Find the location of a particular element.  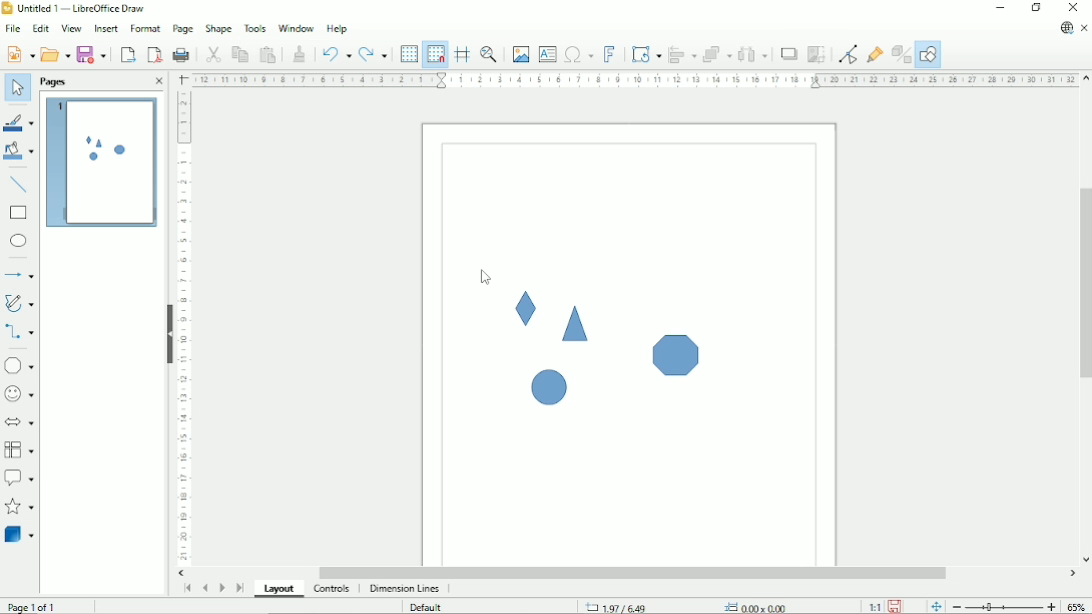

Insert is located at coordinates (105, 29).